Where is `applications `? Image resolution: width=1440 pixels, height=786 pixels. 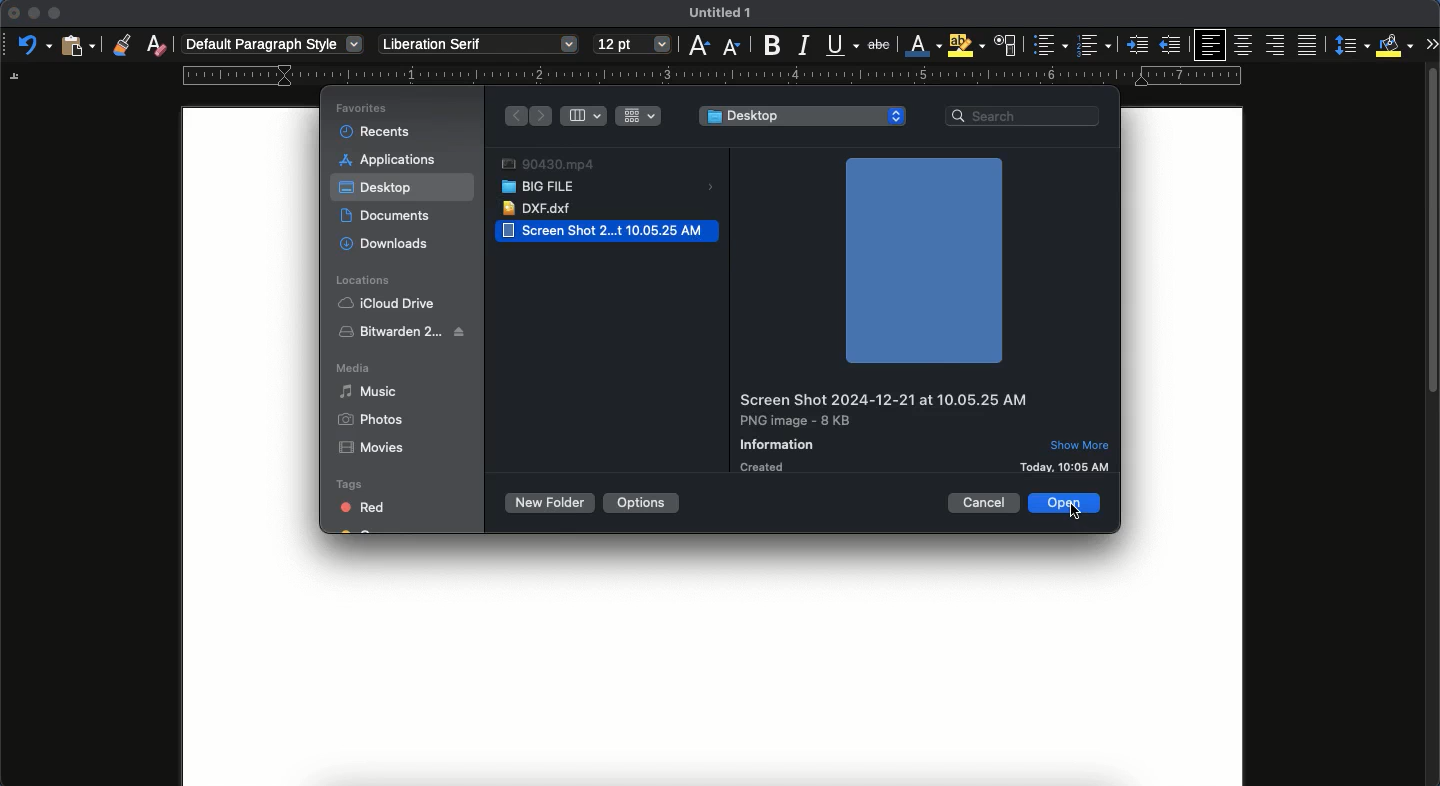
applications  is located at coordinates (391, 160).